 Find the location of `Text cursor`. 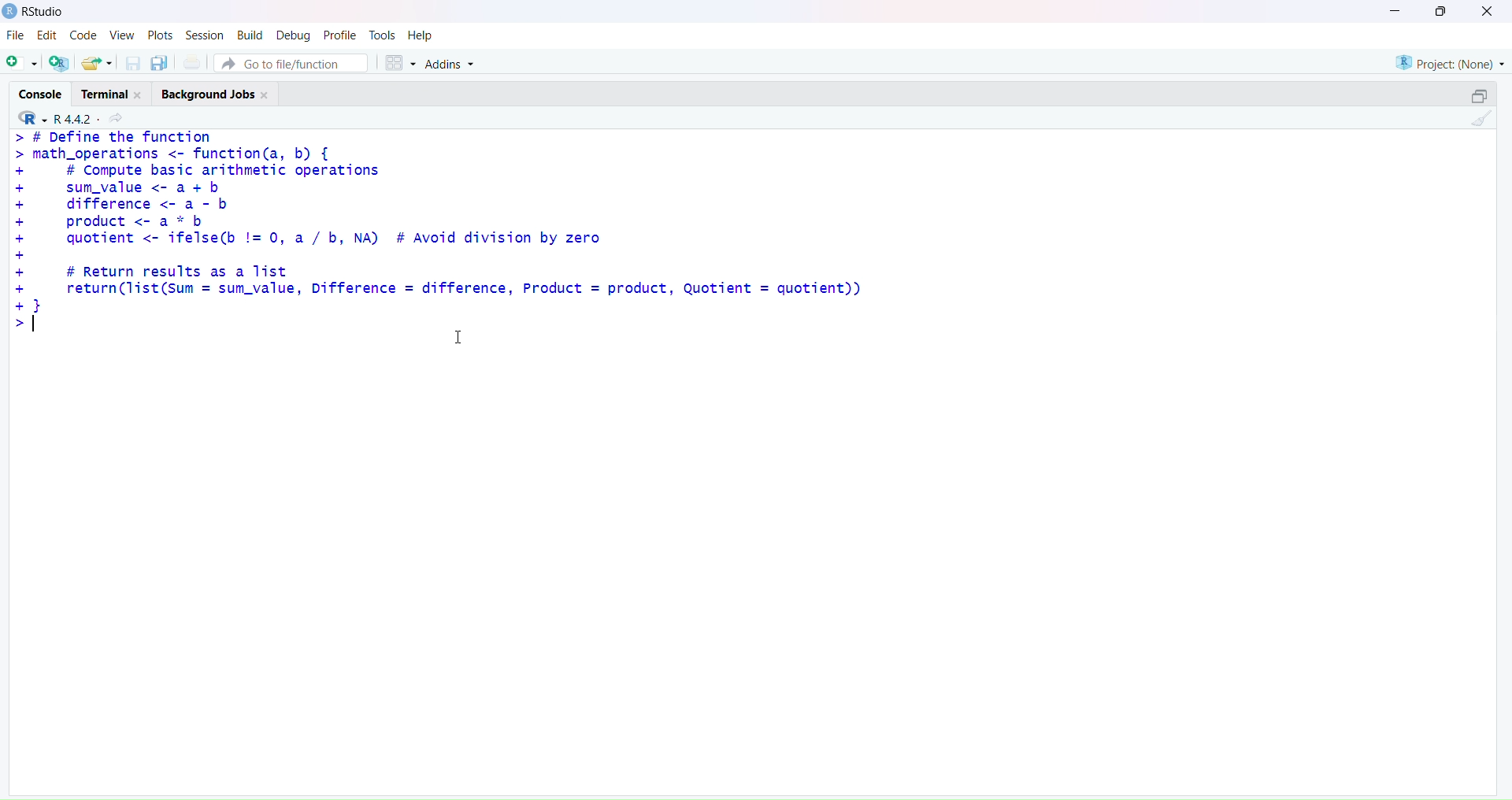

Text cursor is located at coordinates (461, 339).